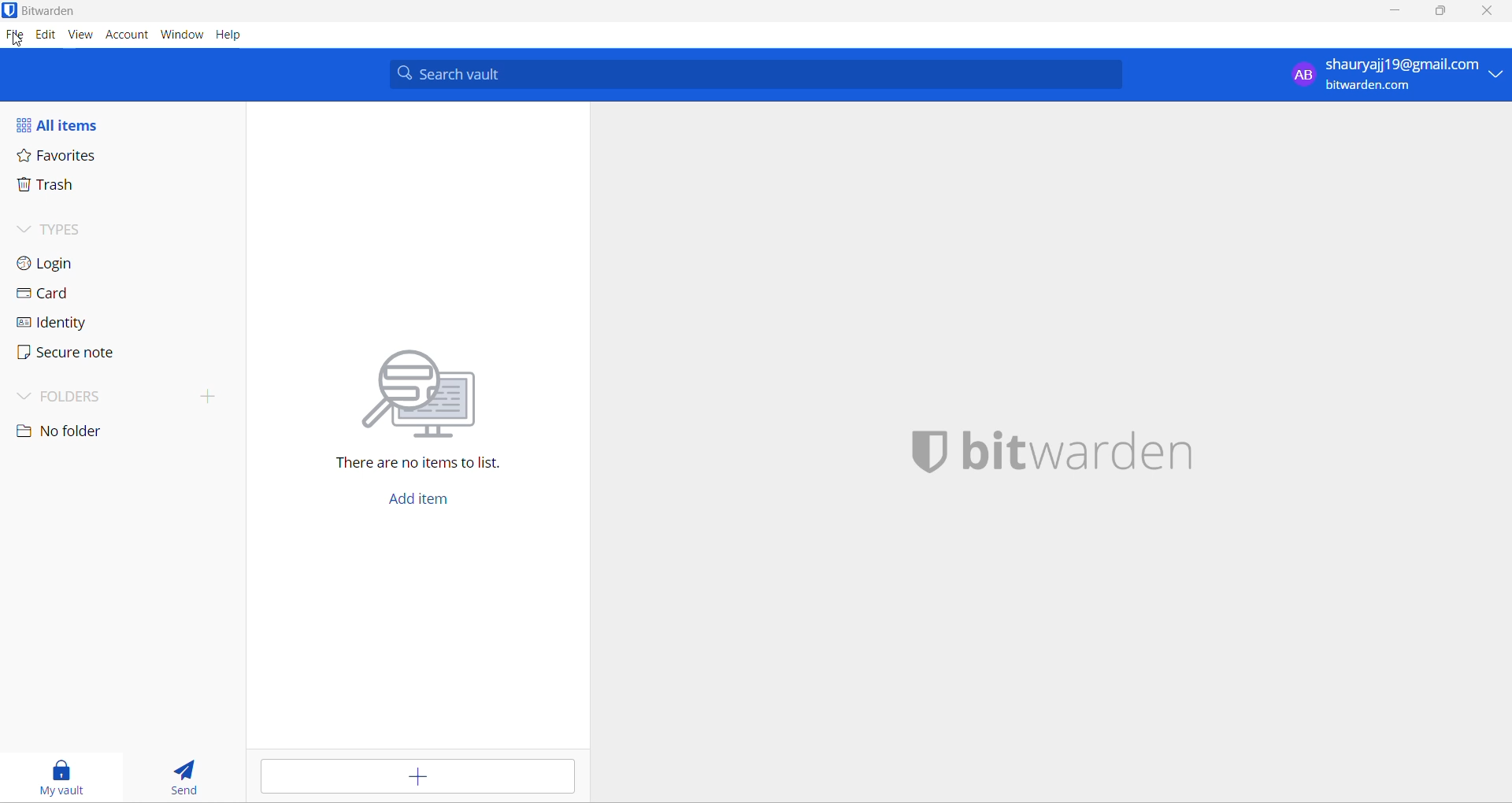  I want to click on account, so click(127, 35).